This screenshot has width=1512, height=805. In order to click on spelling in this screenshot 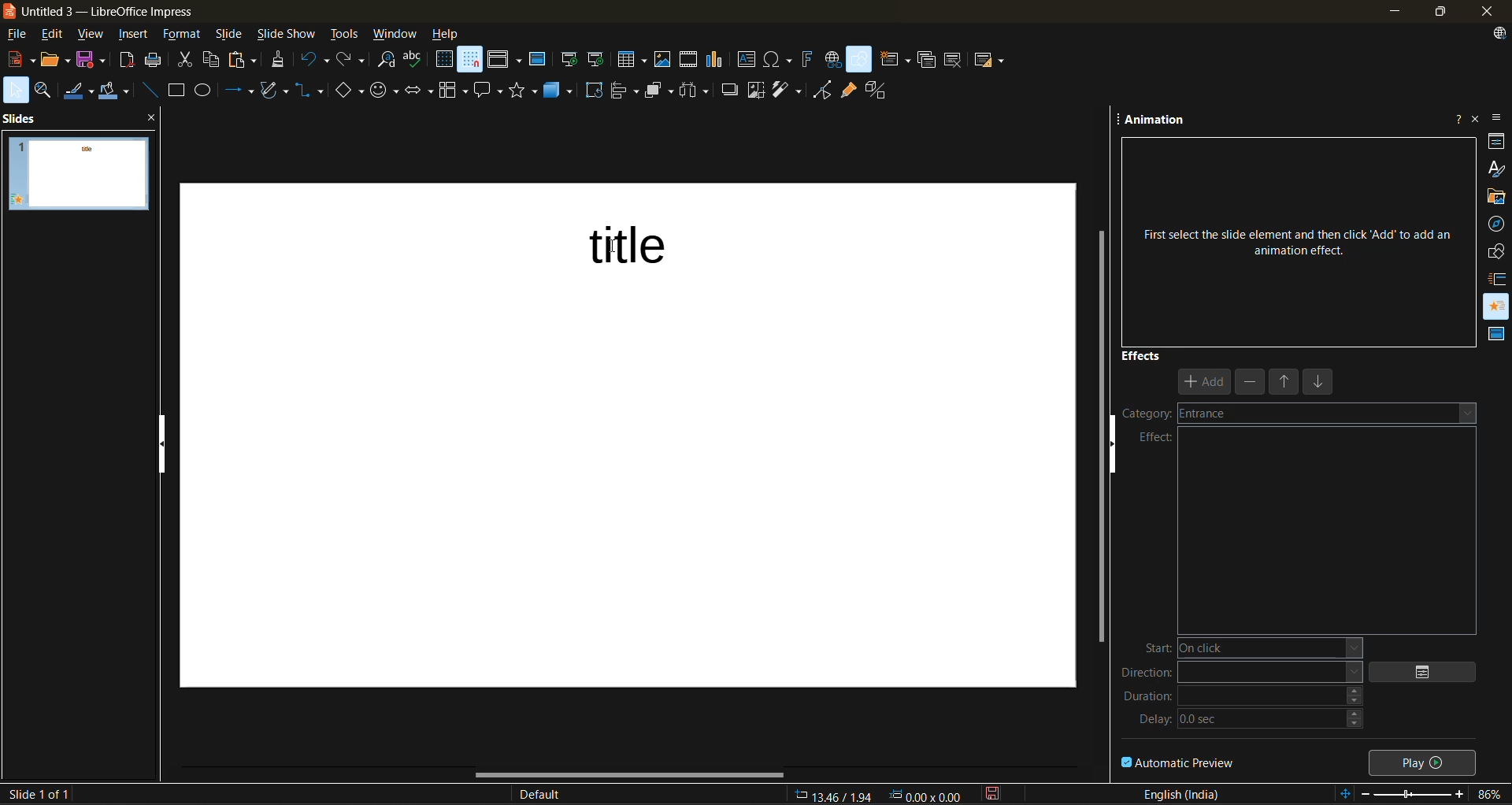, I will do `click(414, 60)`.